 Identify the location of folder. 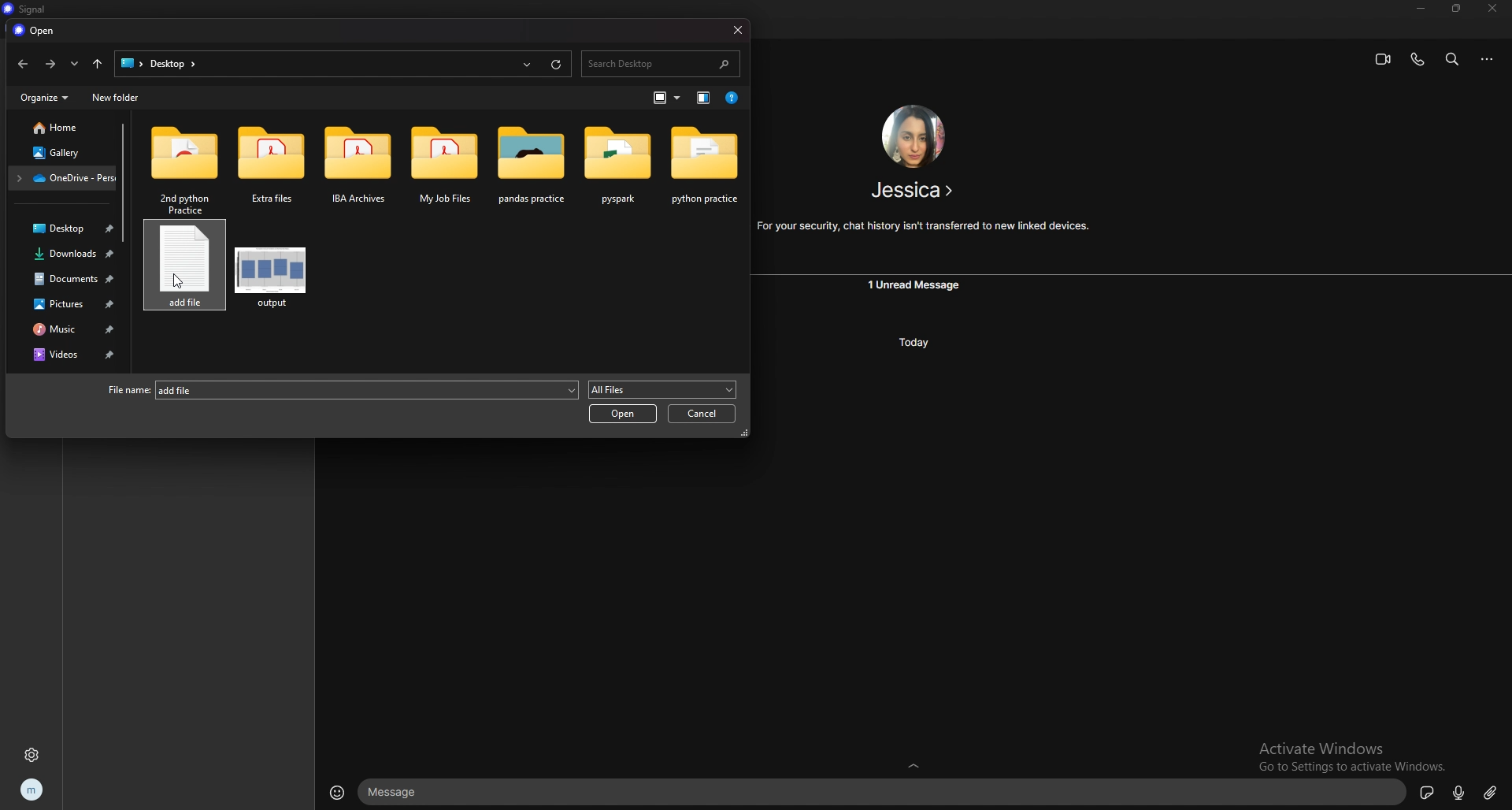
(617, 168).